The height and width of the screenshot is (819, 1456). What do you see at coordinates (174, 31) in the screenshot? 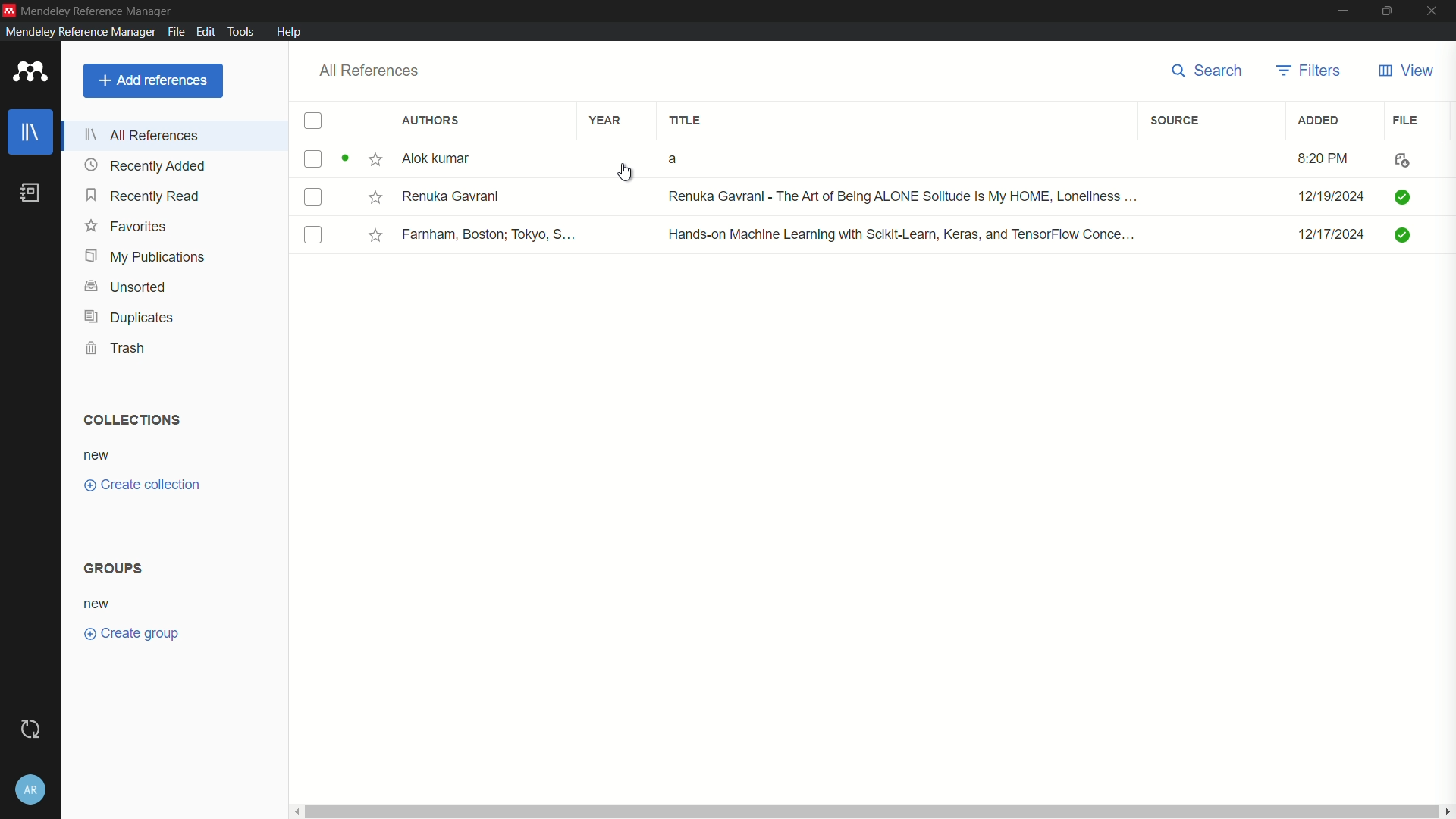
I see `file menu` at bounding box center [174, 31].